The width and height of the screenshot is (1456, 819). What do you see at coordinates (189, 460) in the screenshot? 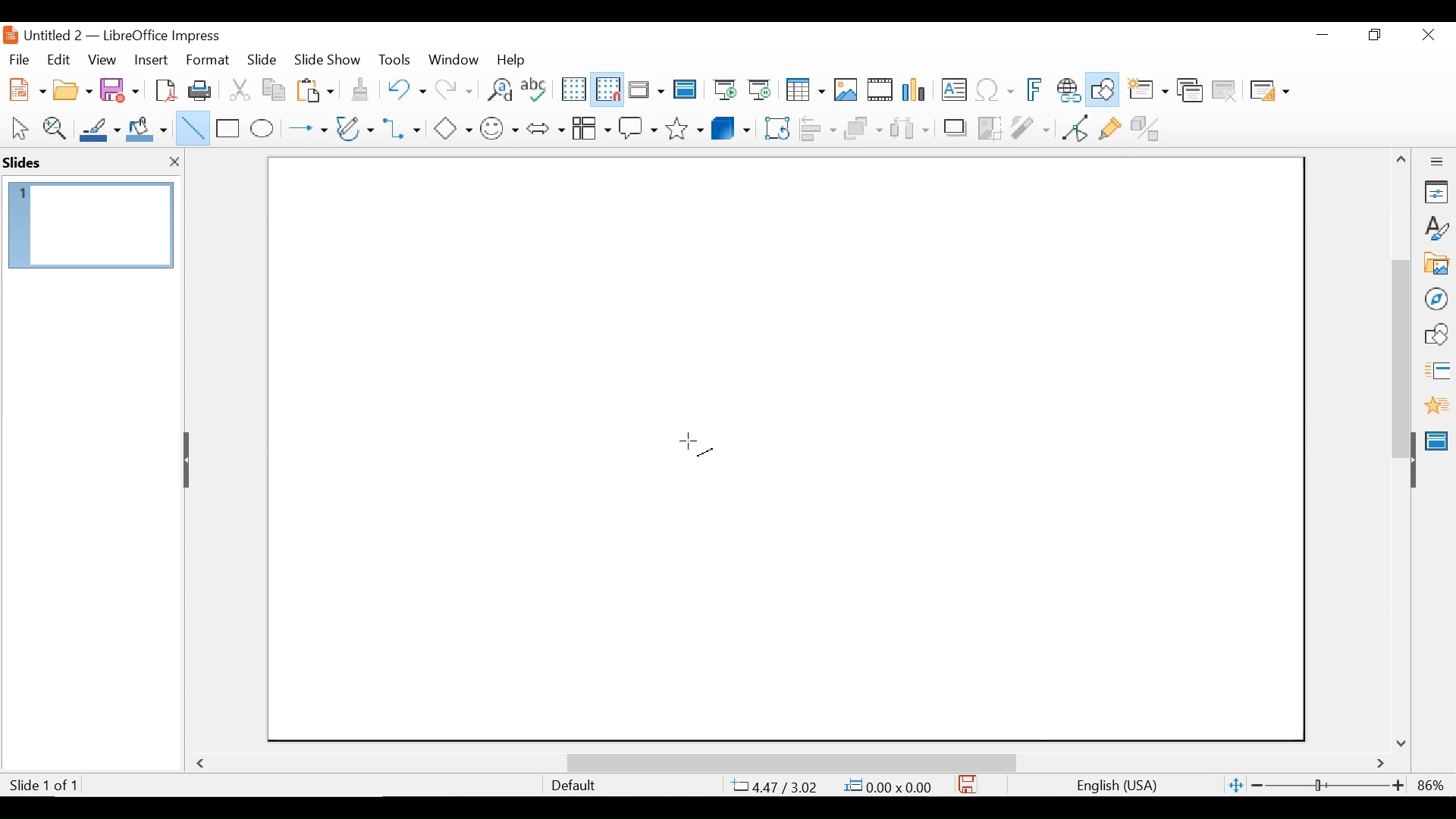
I see `Hide` at bounding box center [189, 460].